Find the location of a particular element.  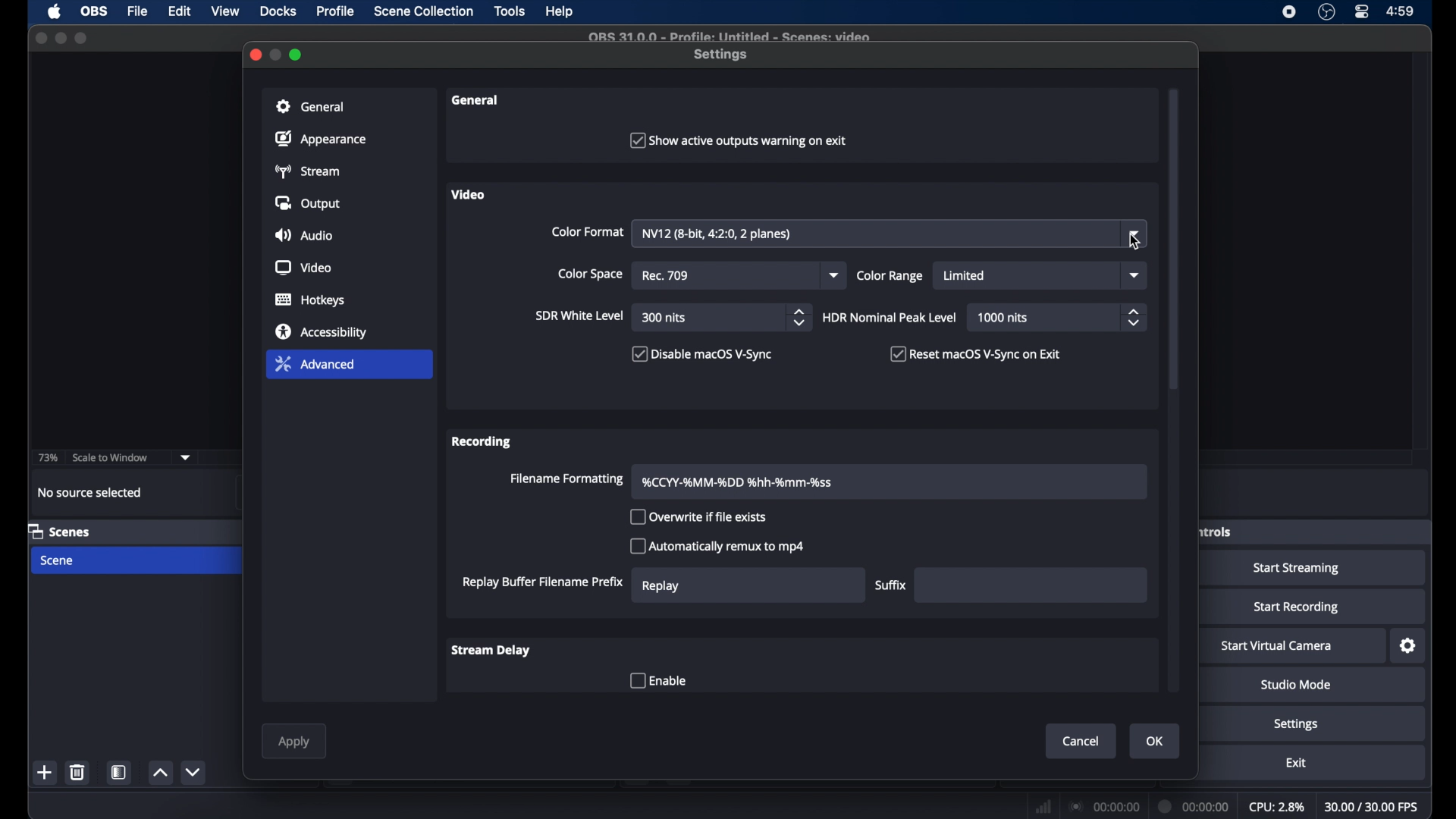

general is located at coordinates (476, 100).